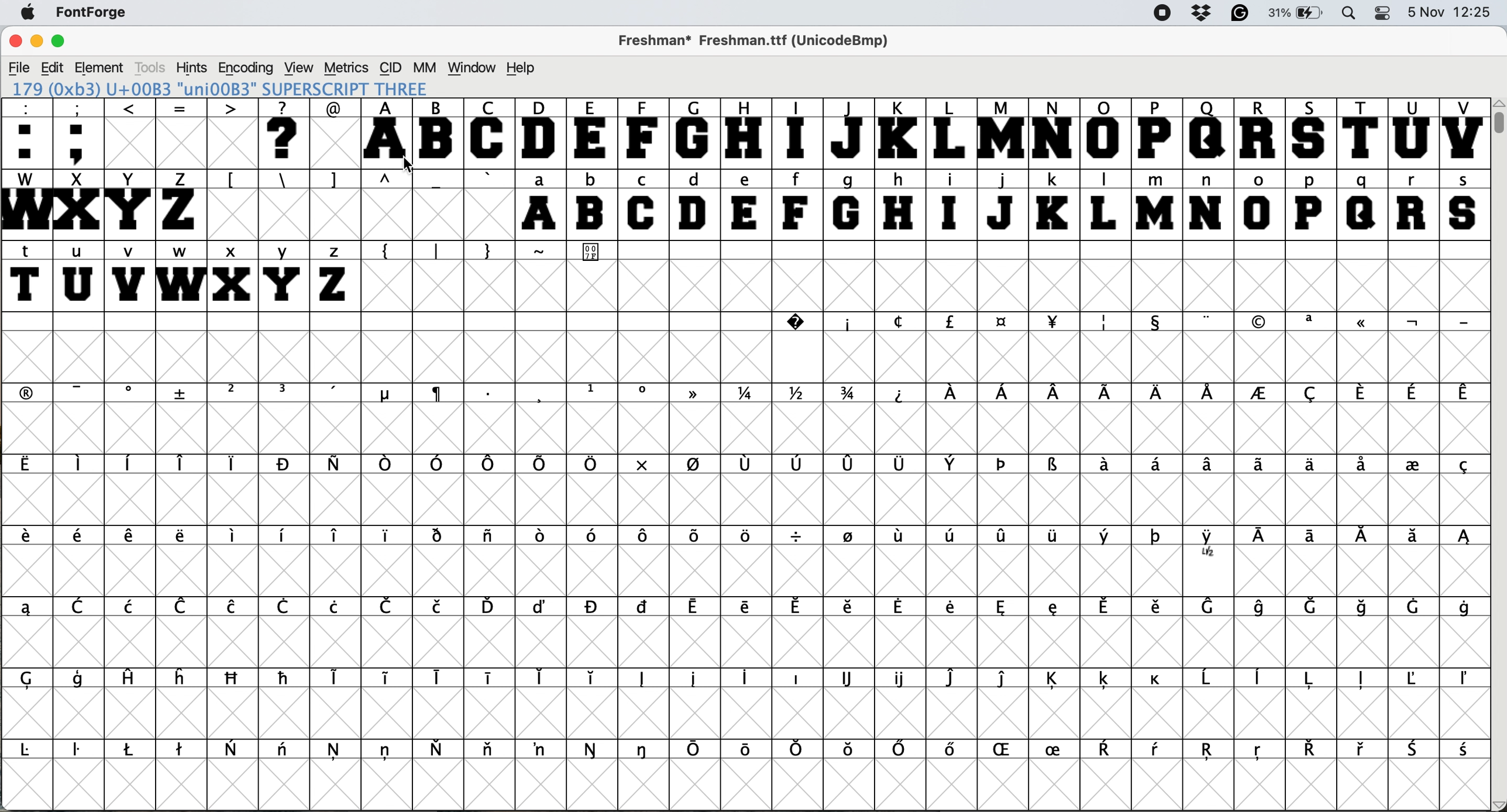 This screenshot has width=1507, height=812. What do you see at coordinates (694, 133) in the screenshot?
I see `G` at bounding box center [694, 133].